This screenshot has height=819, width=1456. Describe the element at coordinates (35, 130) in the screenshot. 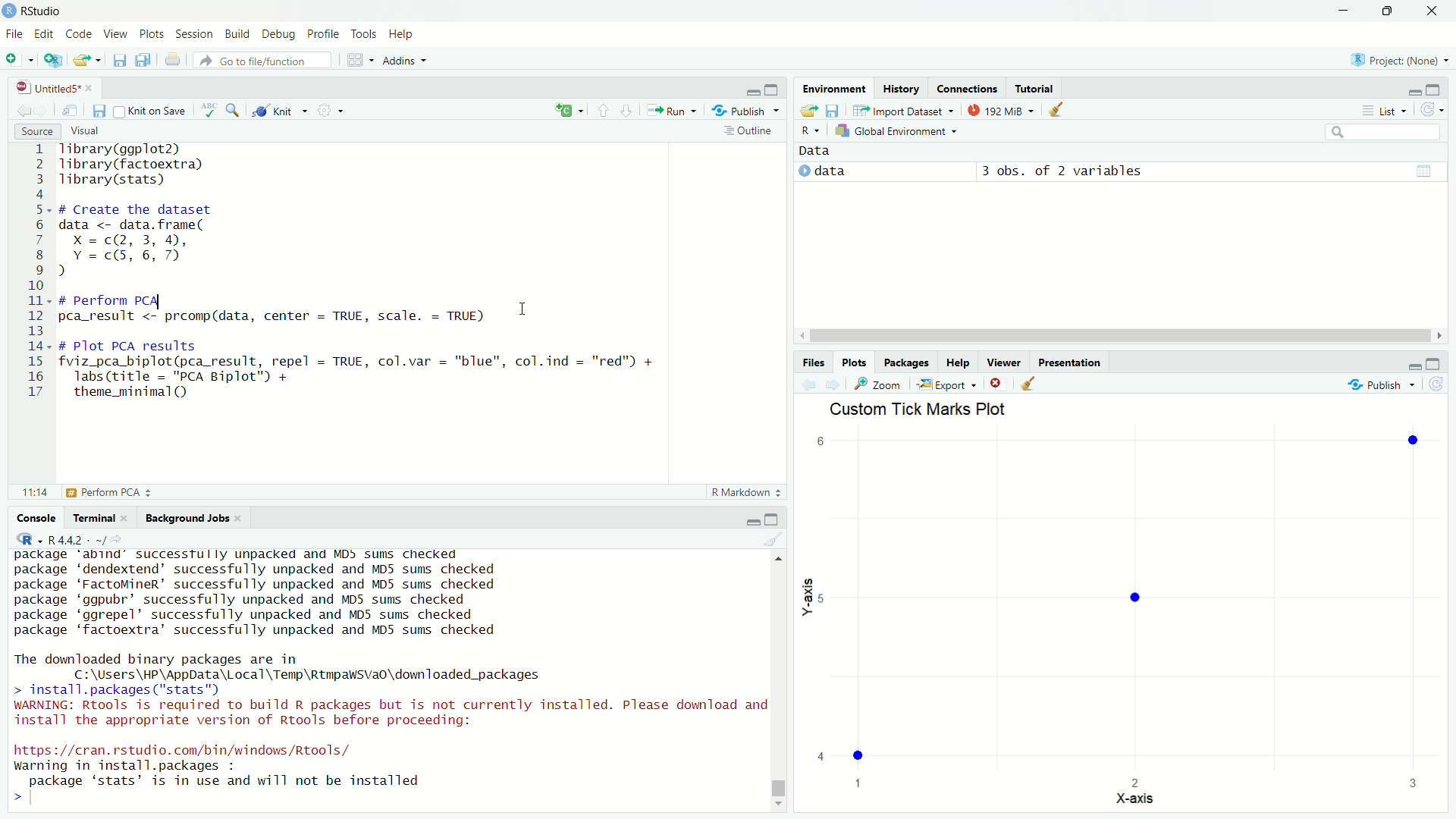

I see `source` at that location.